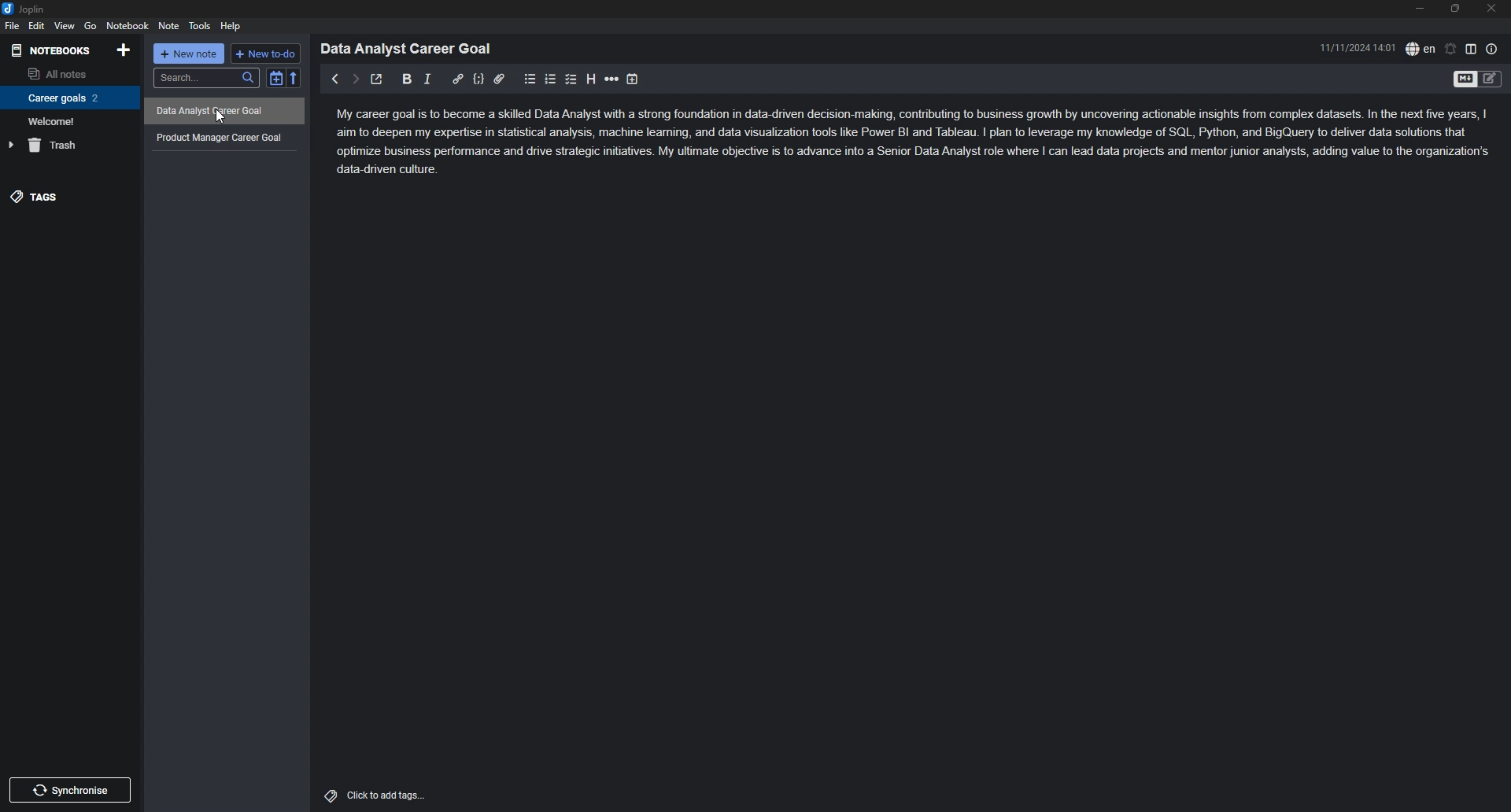  What do you see at coordinates (591, 79) in the screenshot?
I see `heading` at bounding box center [591, 79].